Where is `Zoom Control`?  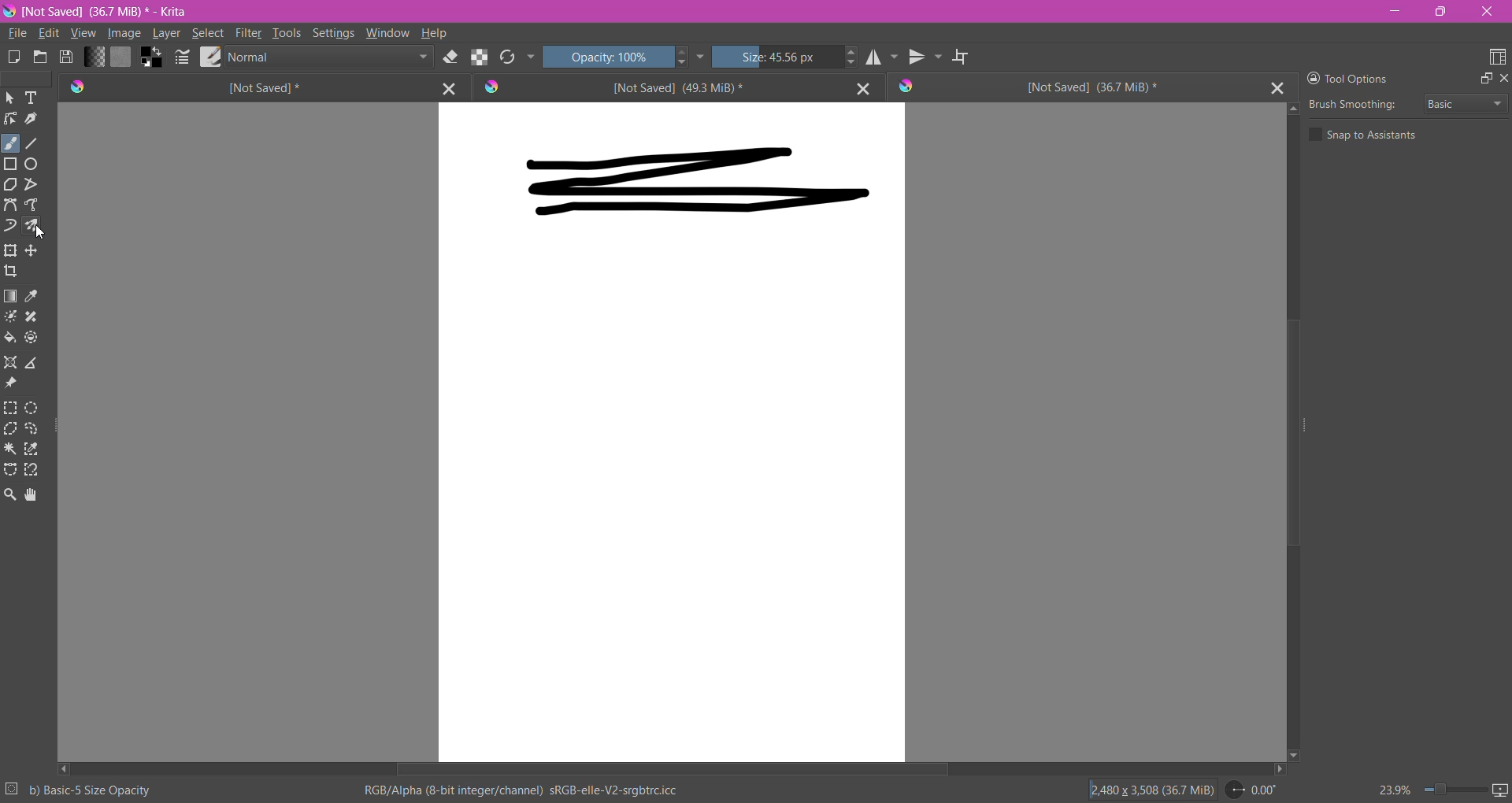 Zoom Control is located at coordinates (1428, 790).